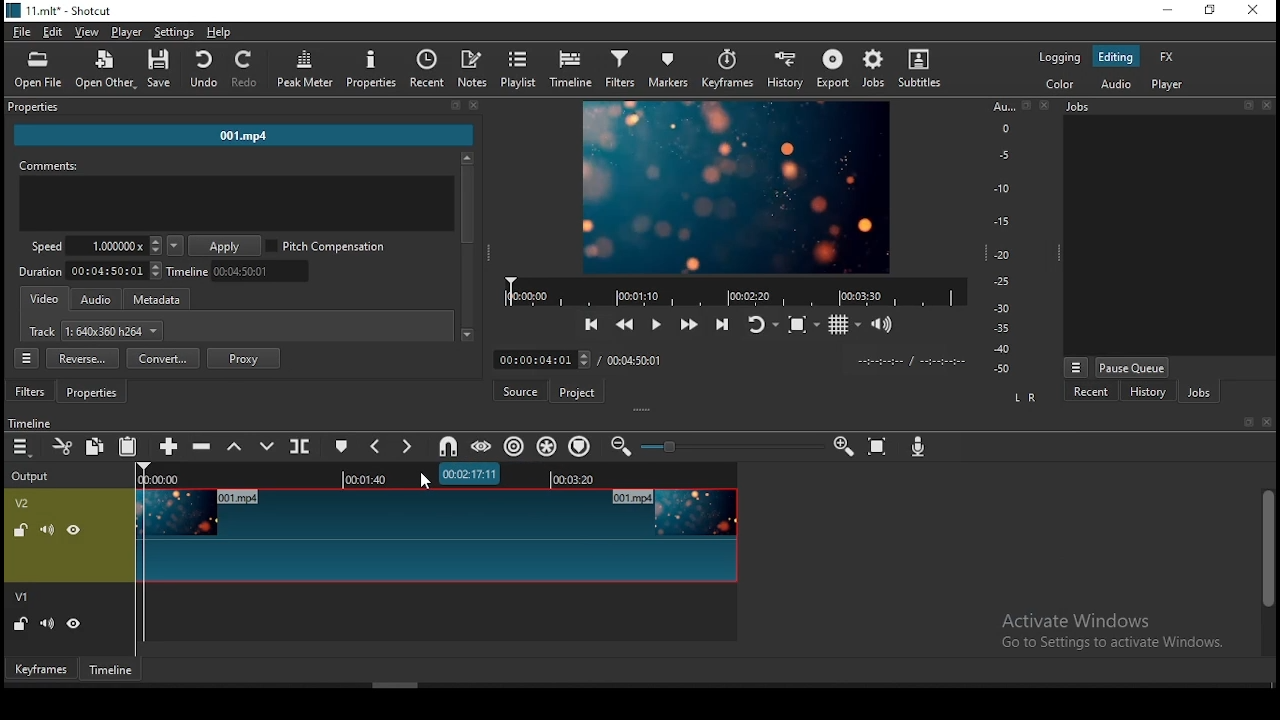  I want to click on help, so click(219, 31).